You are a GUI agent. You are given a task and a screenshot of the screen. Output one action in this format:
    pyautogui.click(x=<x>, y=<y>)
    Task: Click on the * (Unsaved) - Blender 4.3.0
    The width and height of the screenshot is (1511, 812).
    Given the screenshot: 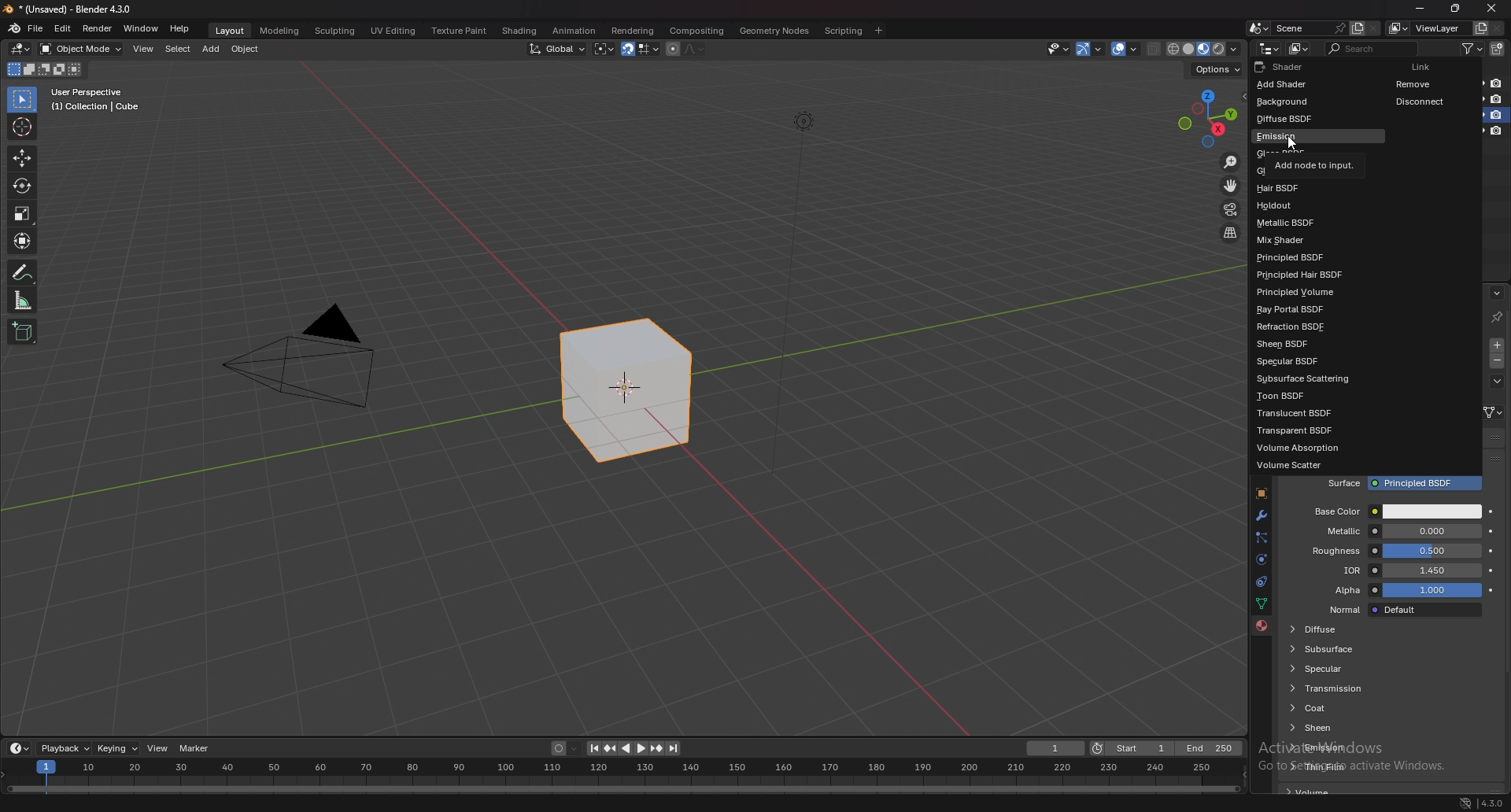 What is the action you would take?
    pyautogui.click(x=79, y=9)
    